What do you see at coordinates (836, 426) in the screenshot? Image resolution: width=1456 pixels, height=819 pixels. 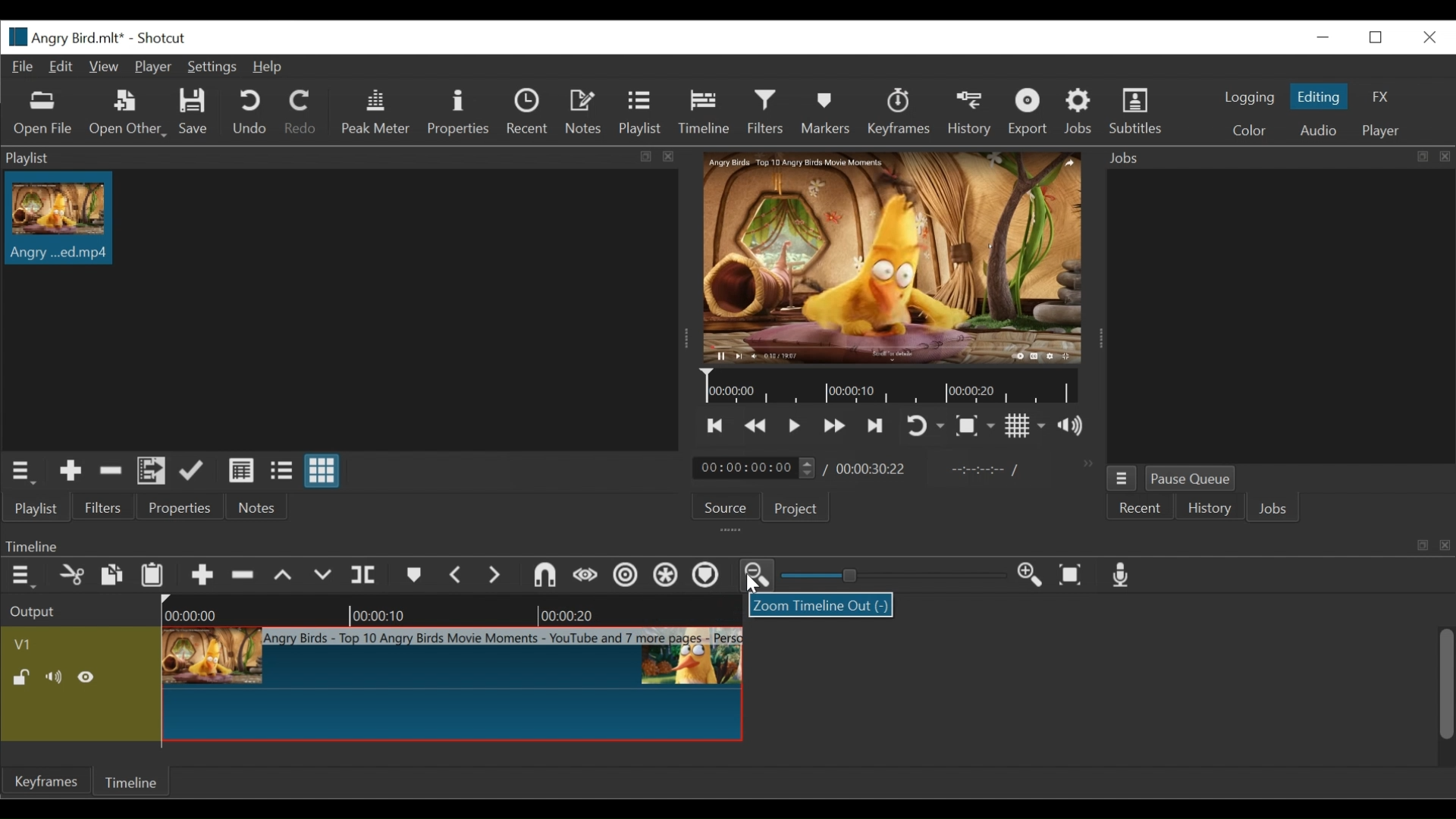 I see `Play forward quickly` at bounding box center [836, 426].